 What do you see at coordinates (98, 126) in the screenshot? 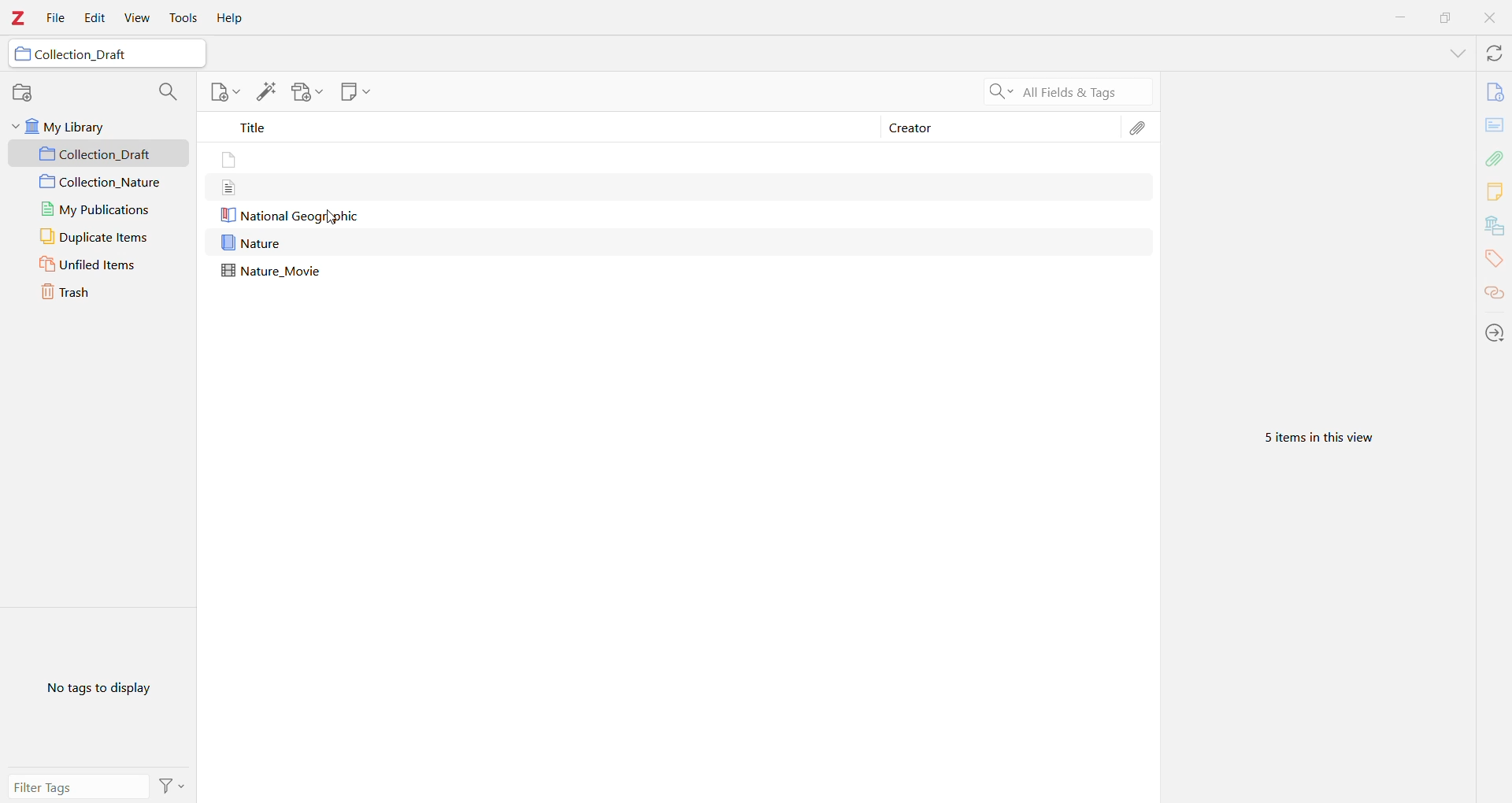
I see `My Library` at bounding box center [98, 126].